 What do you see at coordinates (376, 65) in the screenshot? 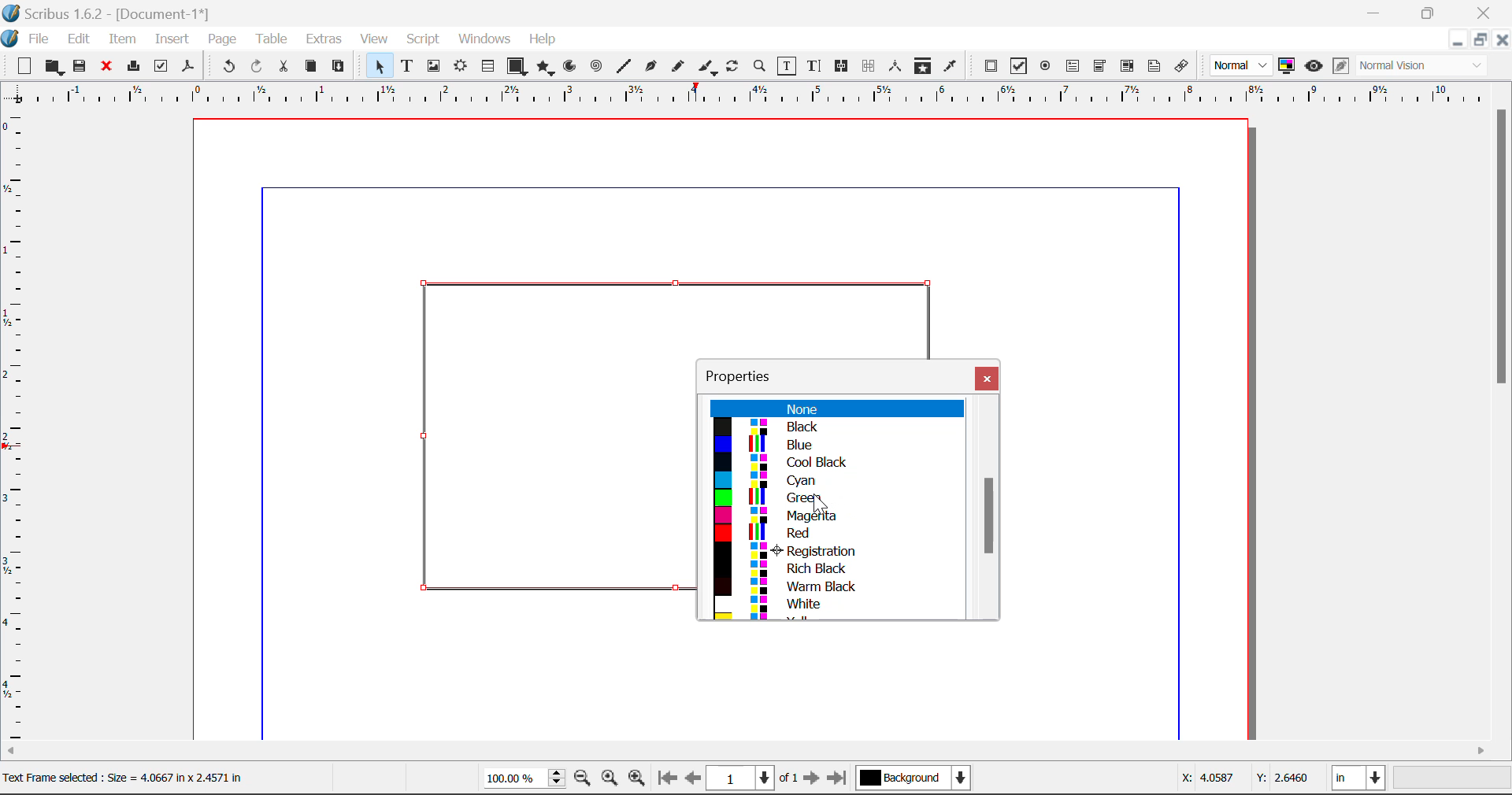
I see `Select` at bounding box center [376, 65].